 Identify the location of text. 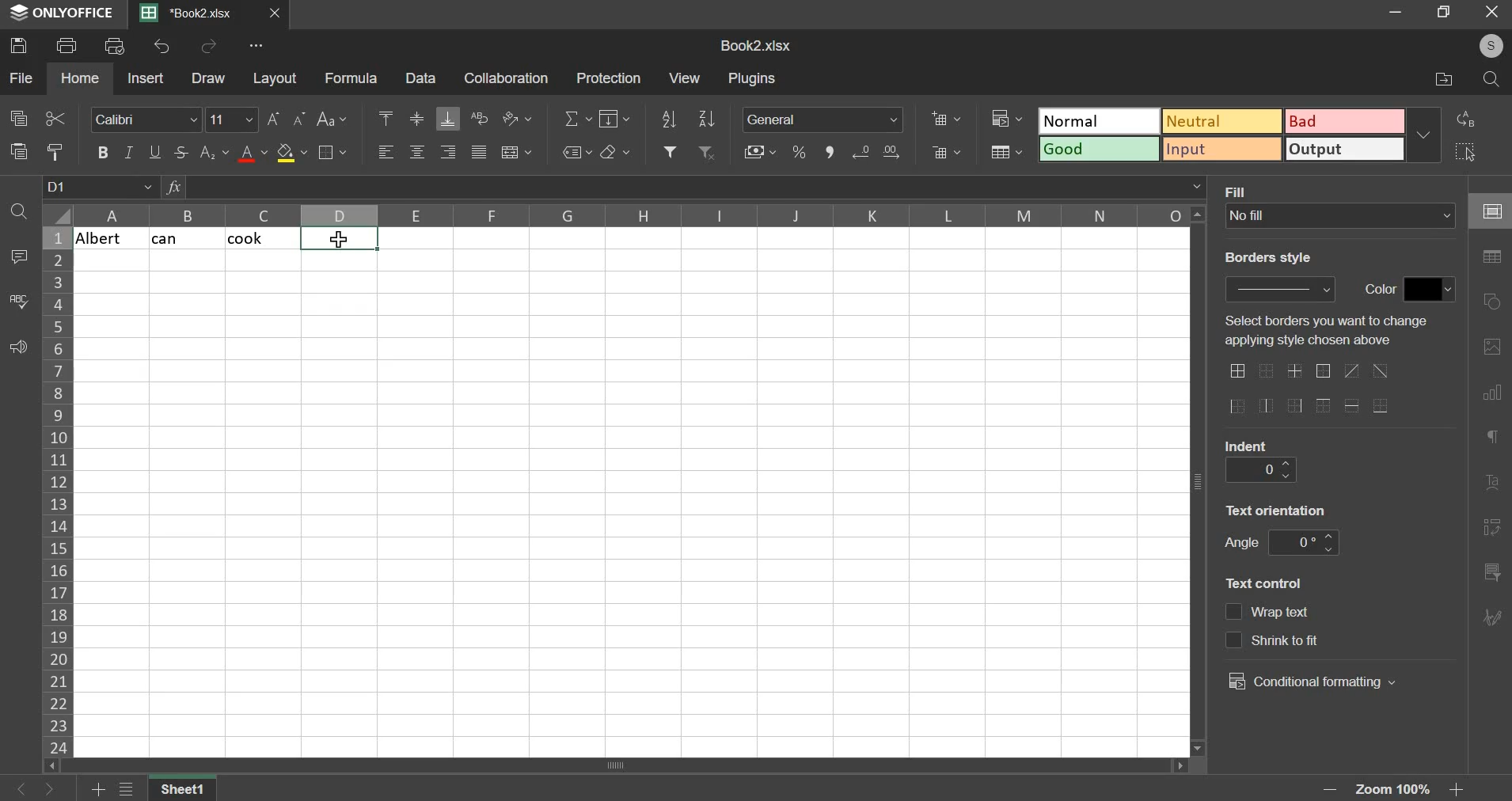
(1380, 287).